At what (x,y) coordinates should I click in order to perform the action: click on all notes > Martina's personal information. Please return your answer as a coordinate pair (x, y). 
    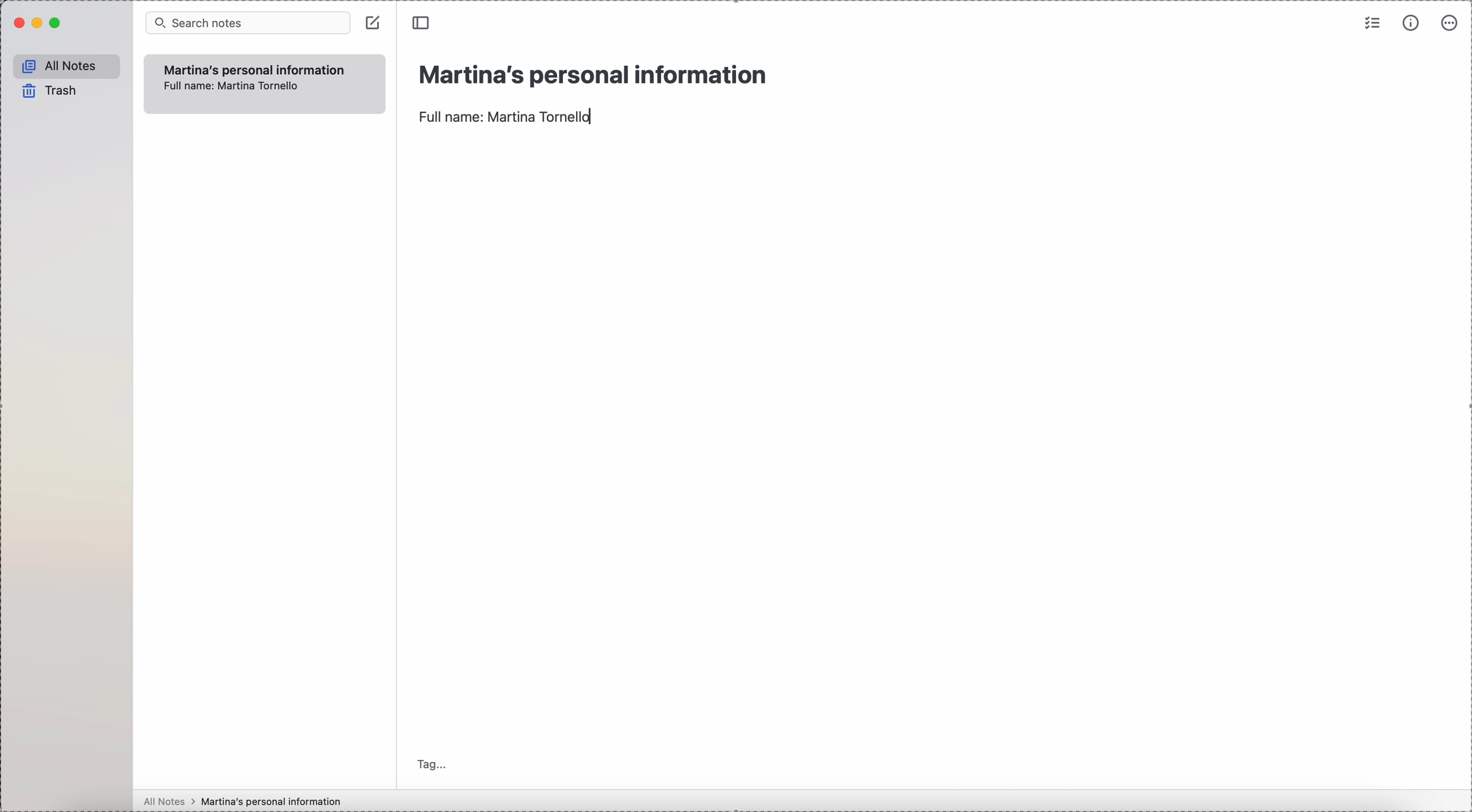
    Looking at the image, I should click on (238, 800).